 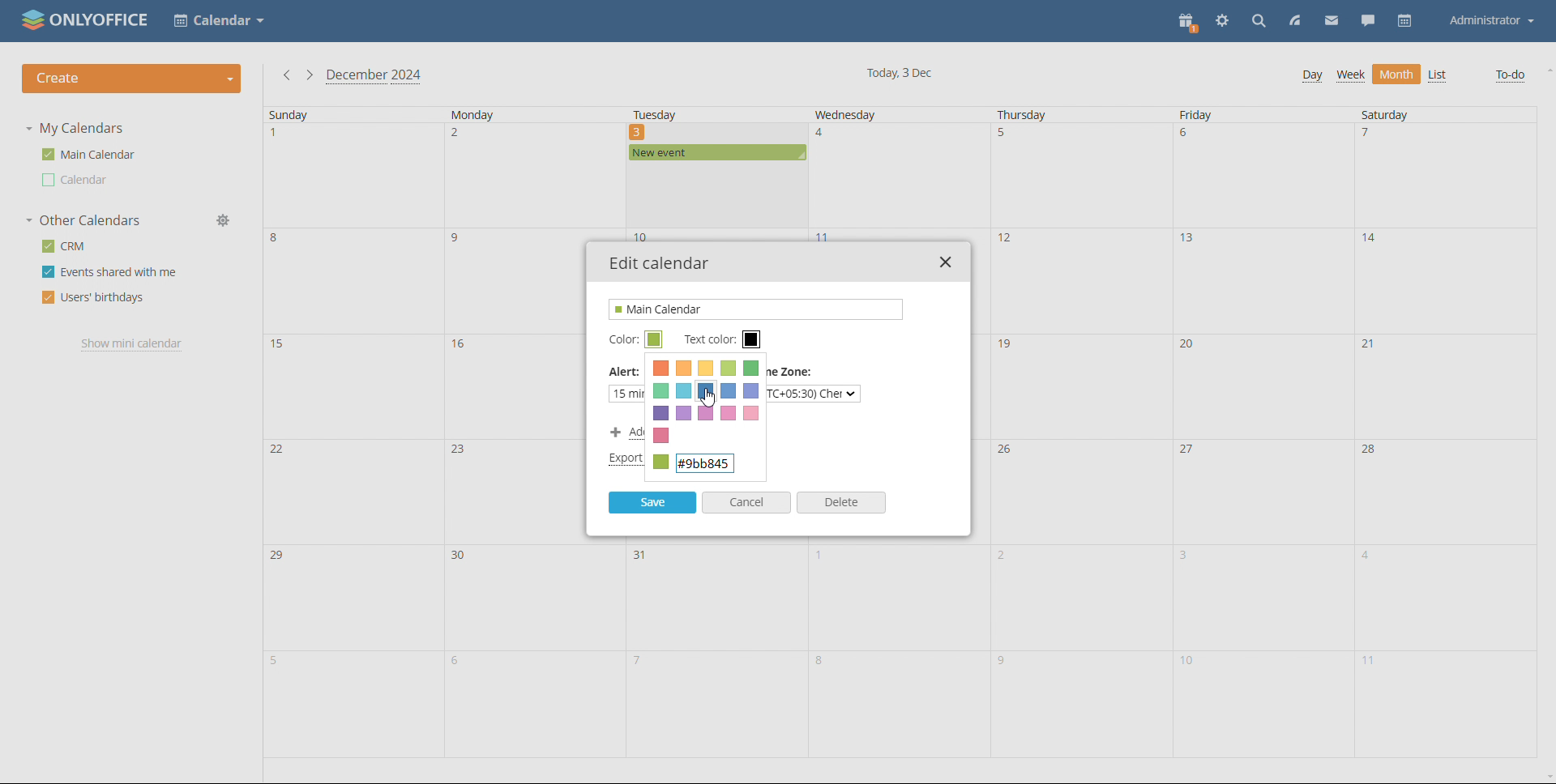 What do you see at coordinates (532, 597) in the screenshot?
I see `date` at bounding box center [532, 597].